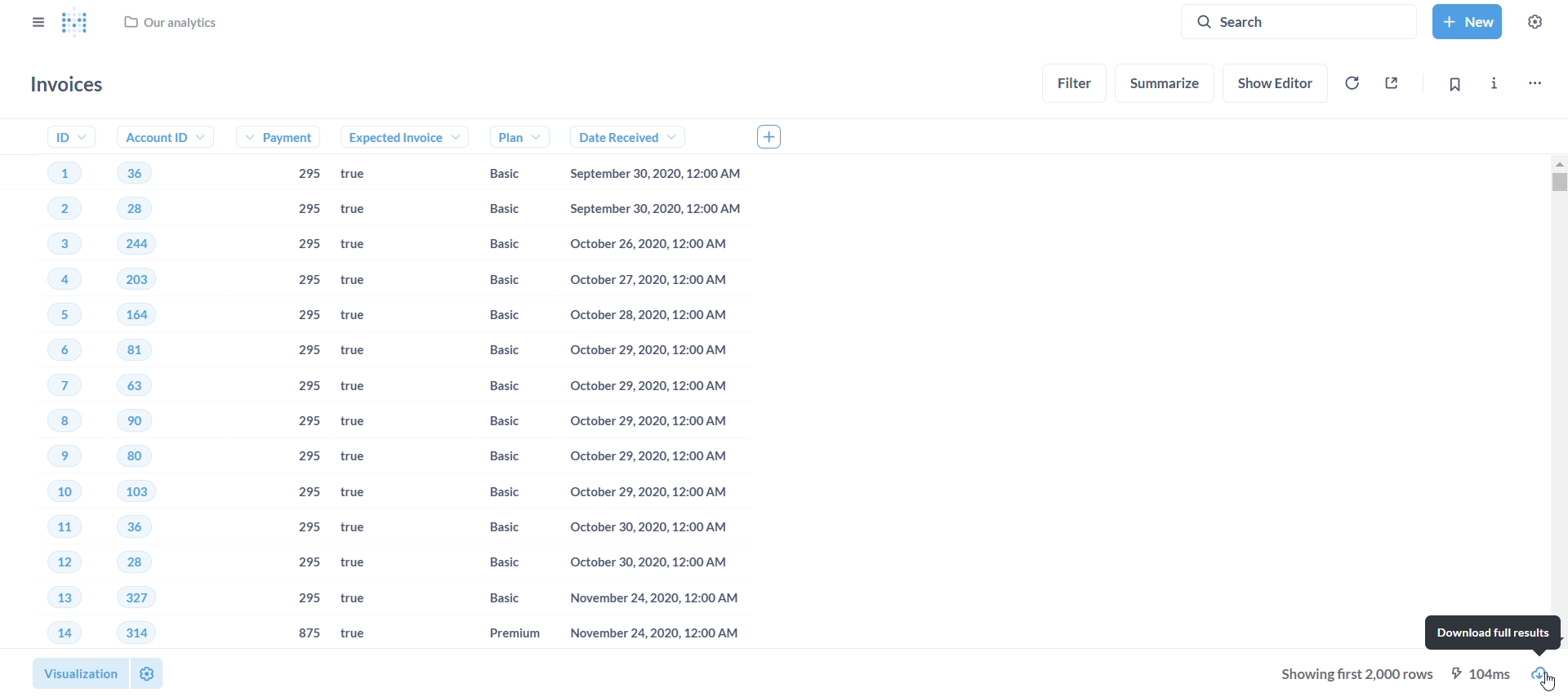 This screenshot has width=1568, height=697. I want to click on Basic, so click(492, 282).